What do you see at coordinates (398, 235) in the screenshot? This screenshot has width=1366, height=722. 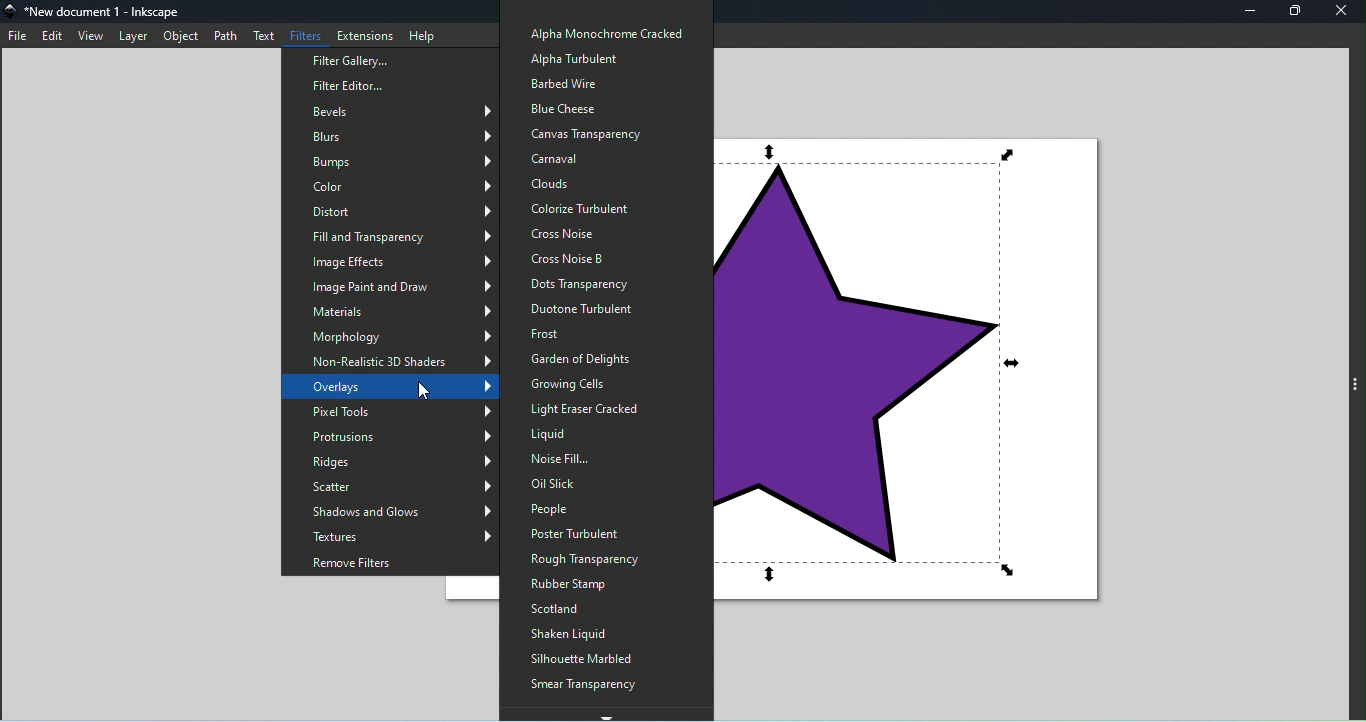 I see `Fill and transparency` at bounding box center [398, 235].